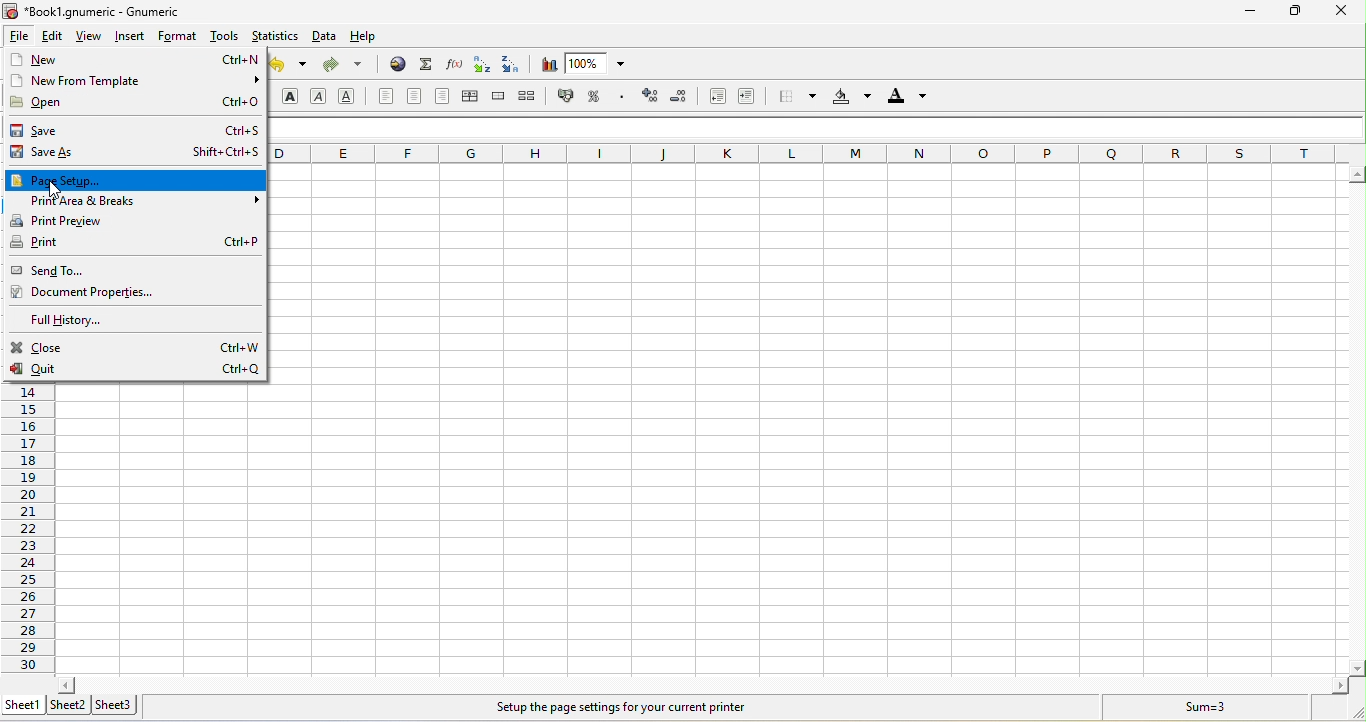 This screenshot has width=1366, height=722. Describe the element at coordinates (455, 64) in the screenshot. I see `edit the function` at that location.